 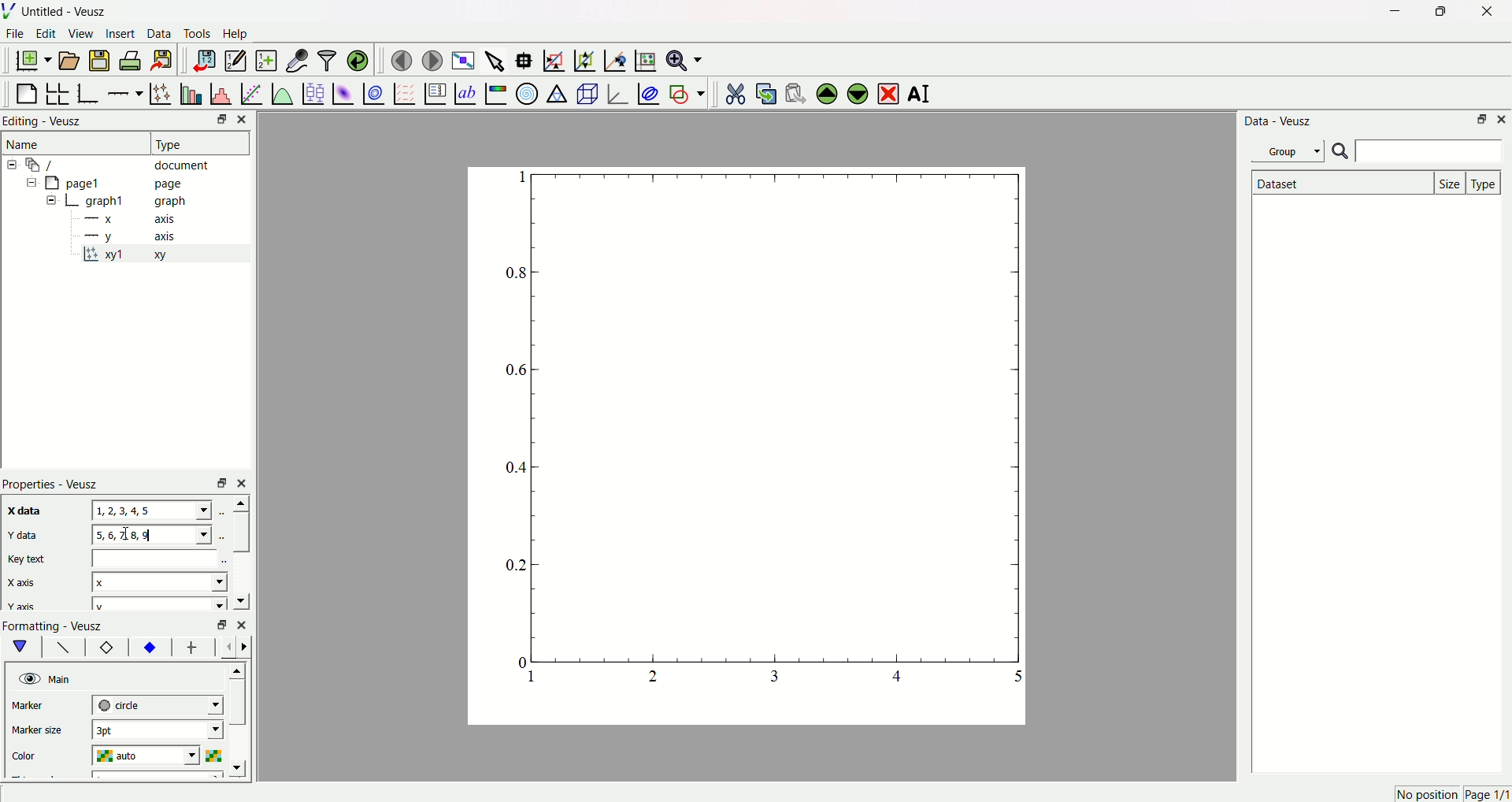 I want to click on recenter the graph axes, so click(x=612, y=57).